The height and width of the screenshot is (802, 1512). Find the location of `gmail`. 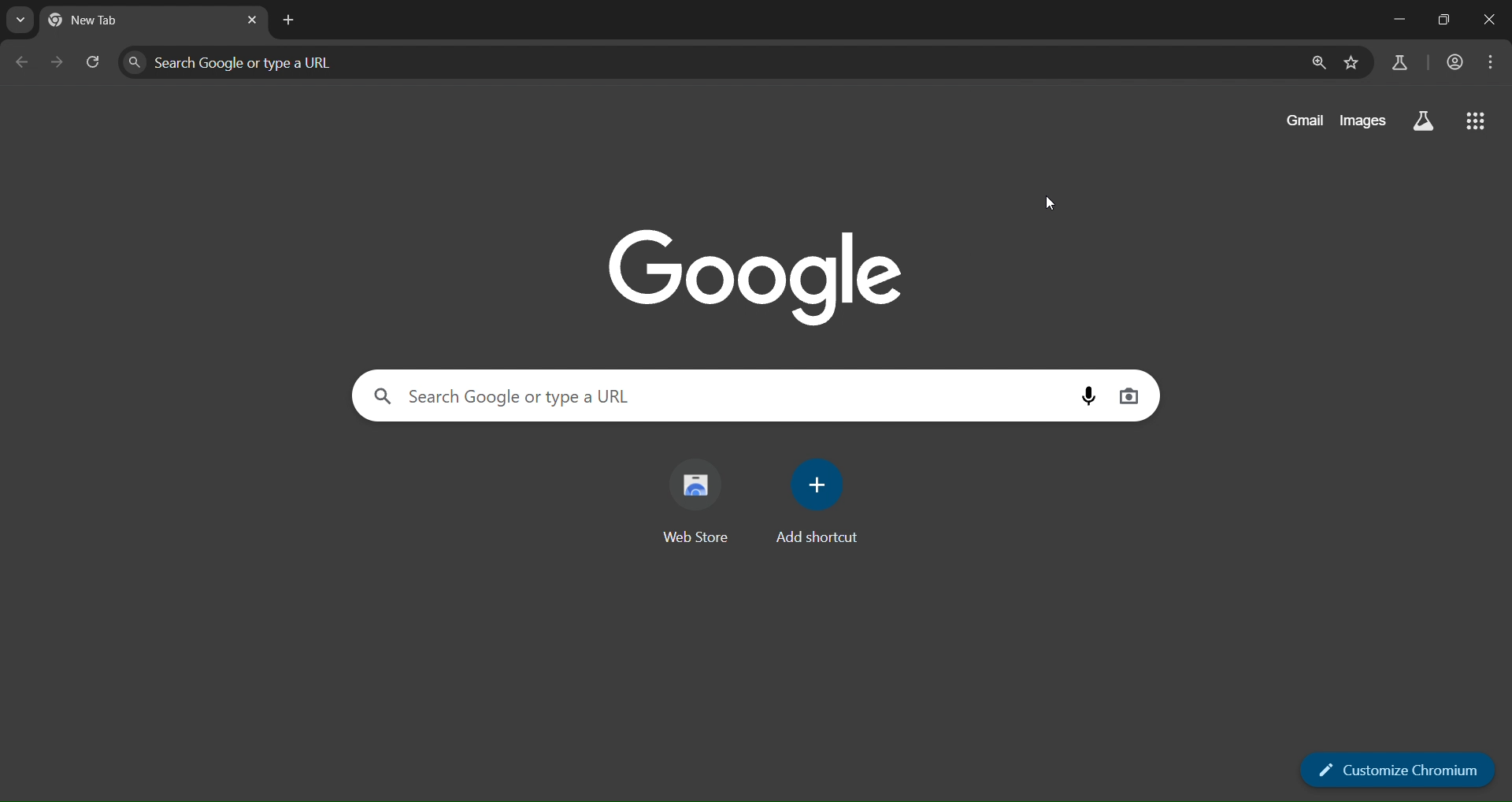

gmail is located at coordinates (1301, 122).